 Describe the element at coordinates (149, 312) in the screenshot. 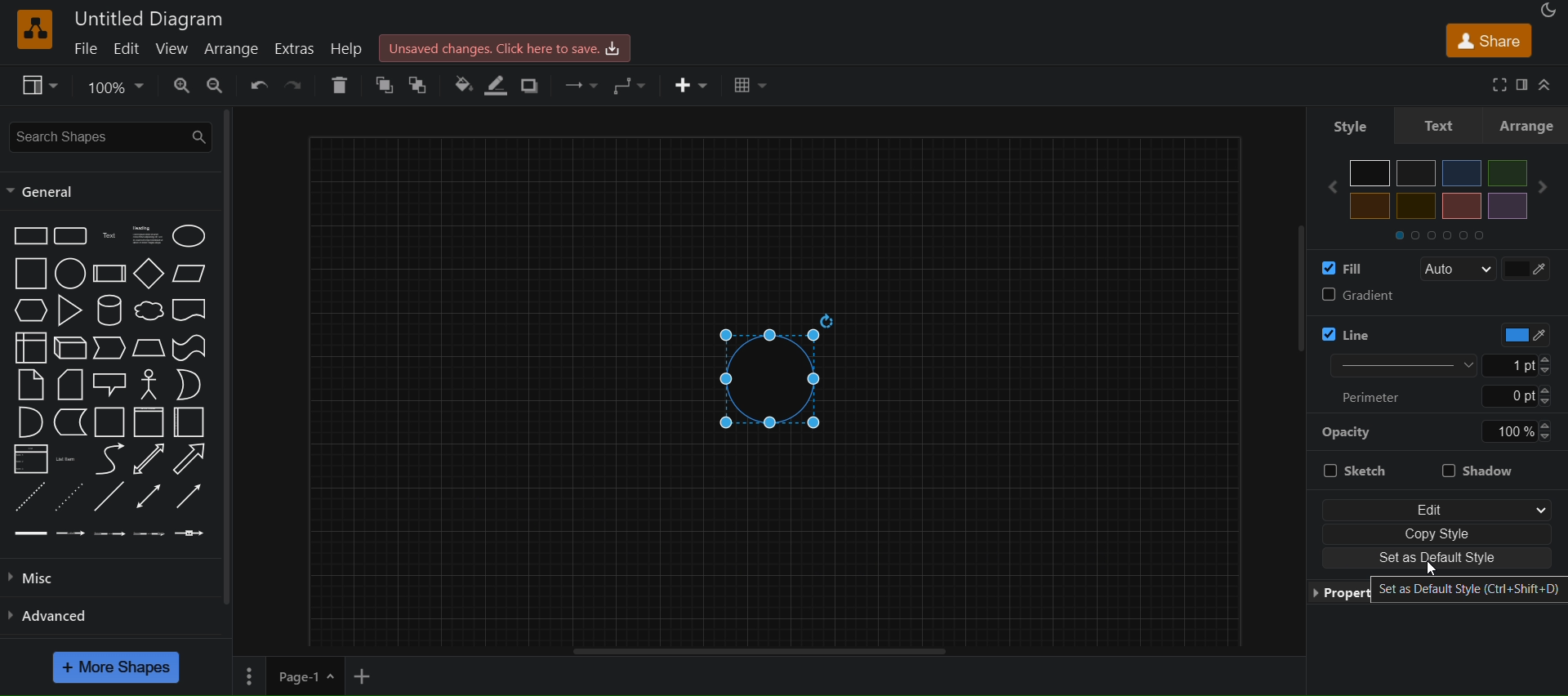

I see `cloud` at that location.